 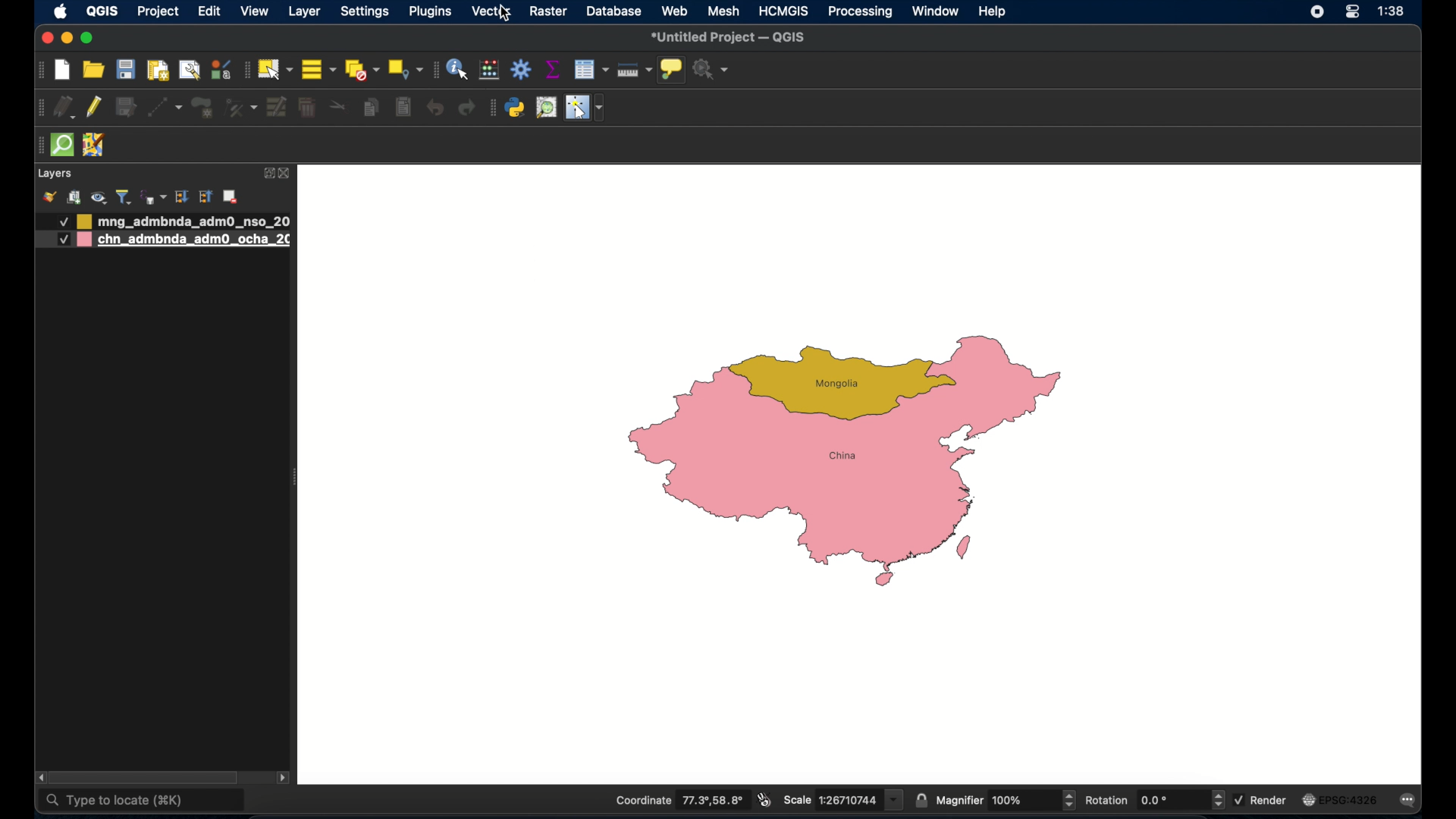 I want to click on layer 2, so click(x=186, y=240).